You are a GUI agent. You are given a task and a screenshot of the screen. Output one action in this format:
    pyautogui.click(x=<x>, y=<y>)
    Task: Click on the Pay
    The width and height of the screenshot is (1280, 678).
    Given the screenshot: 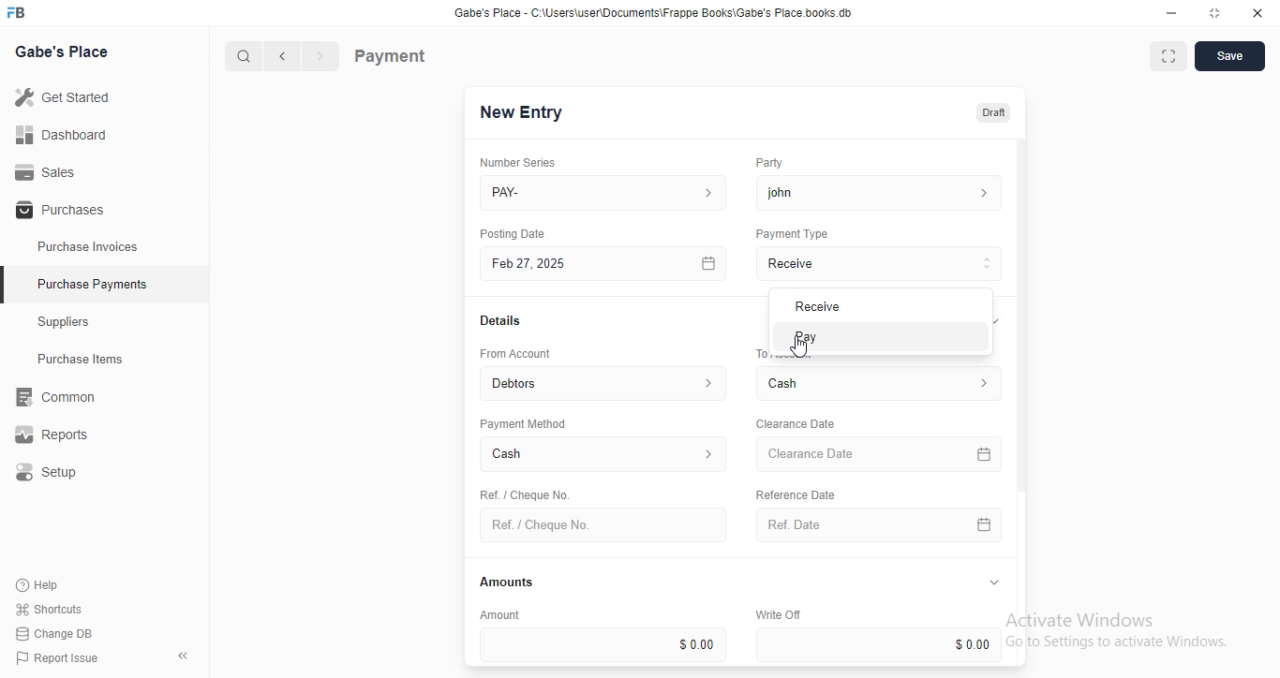 What is the action you would take?
    pyautogui.click(x=878, y=335)
    